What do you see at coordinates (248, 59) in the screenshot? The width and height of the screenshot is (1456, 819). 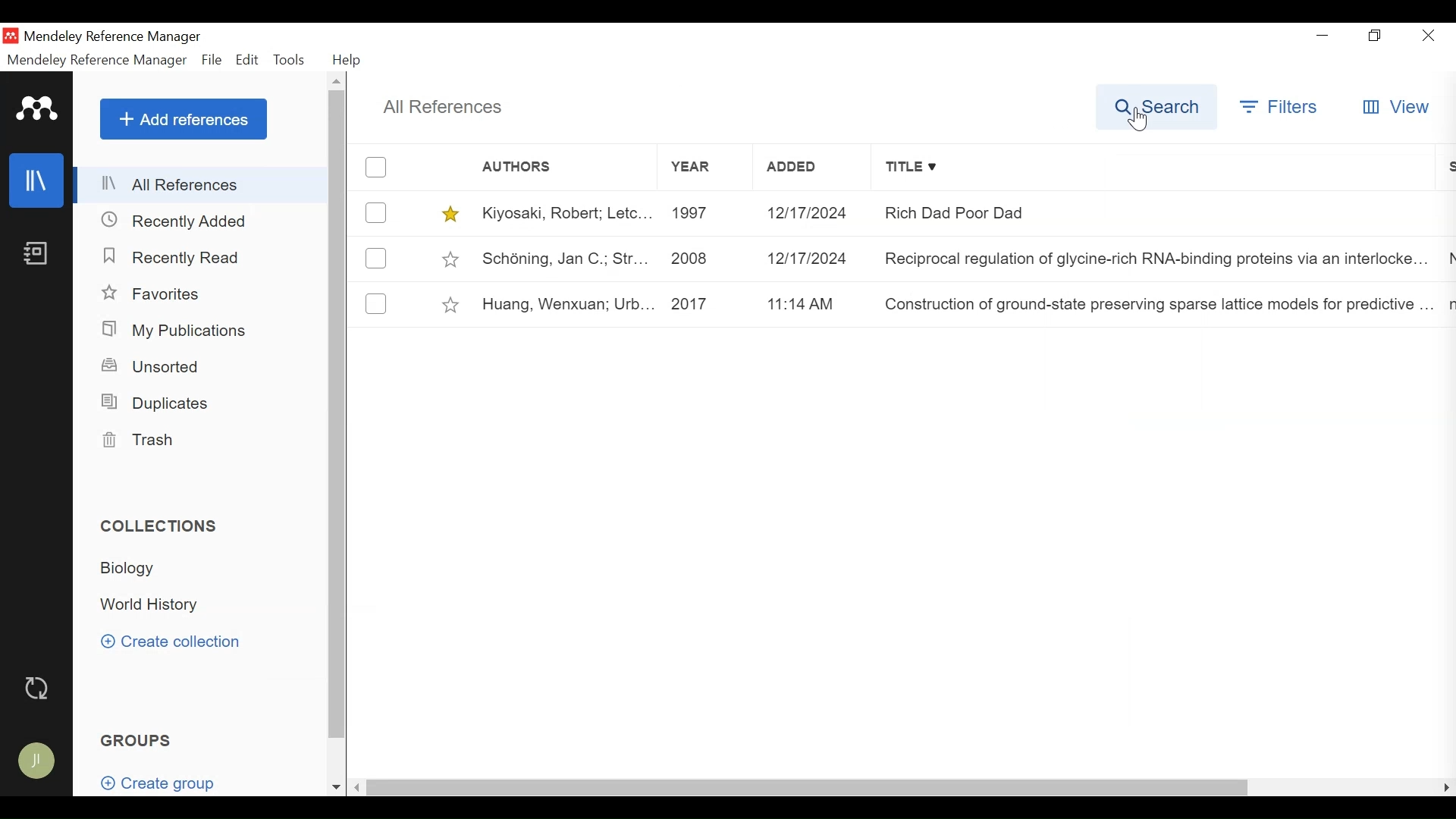 I see `Edit` at bounding box center [248, 59].